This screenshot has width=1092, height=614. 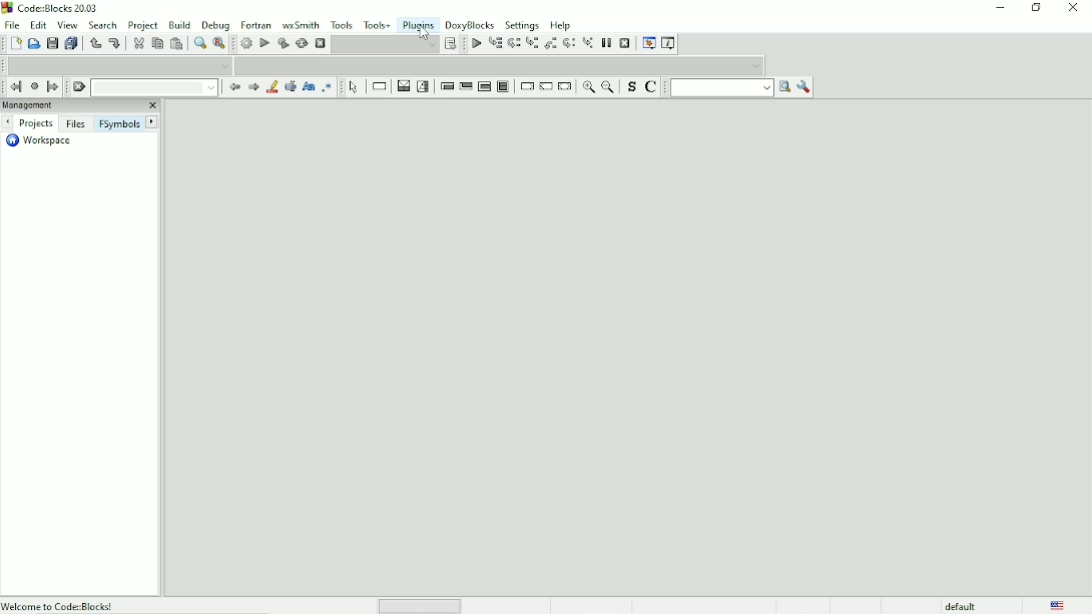 I want to click on Restore down, so click(x=1036, y=8).